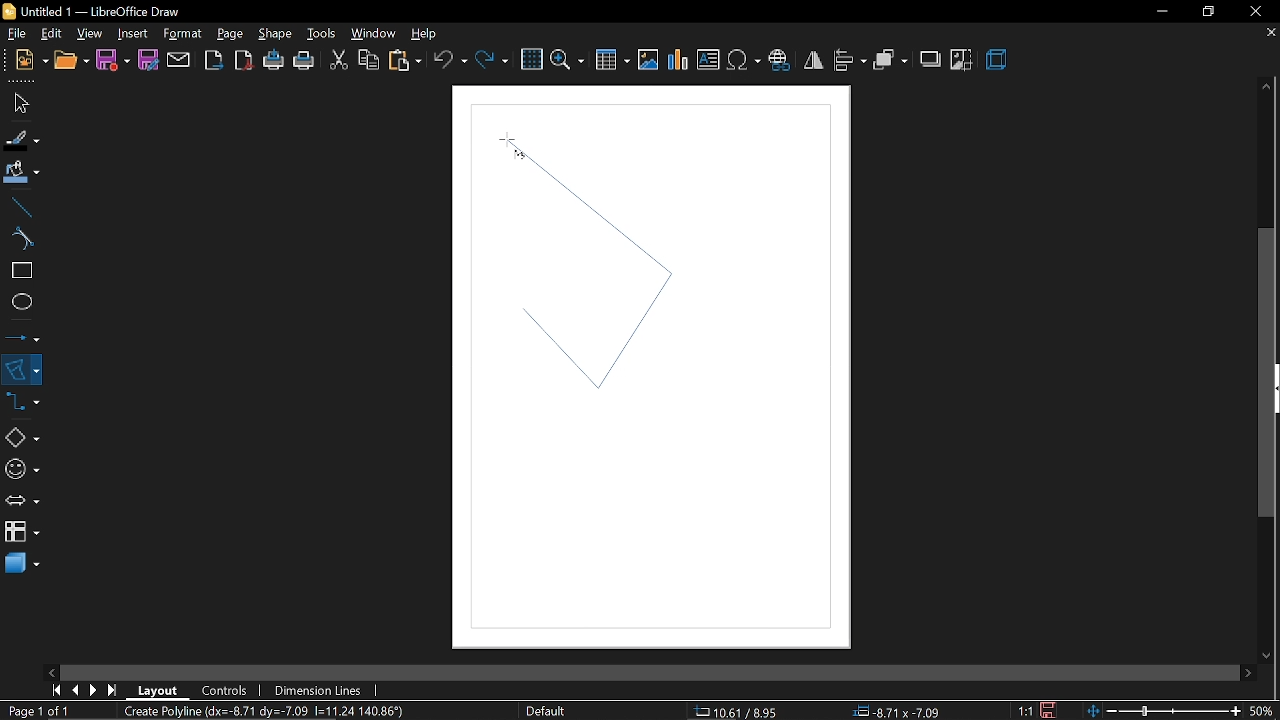  What do you see at coordinates (932, 58) in the screenshot?
I see `shadow` at bounding box center [932, 58].